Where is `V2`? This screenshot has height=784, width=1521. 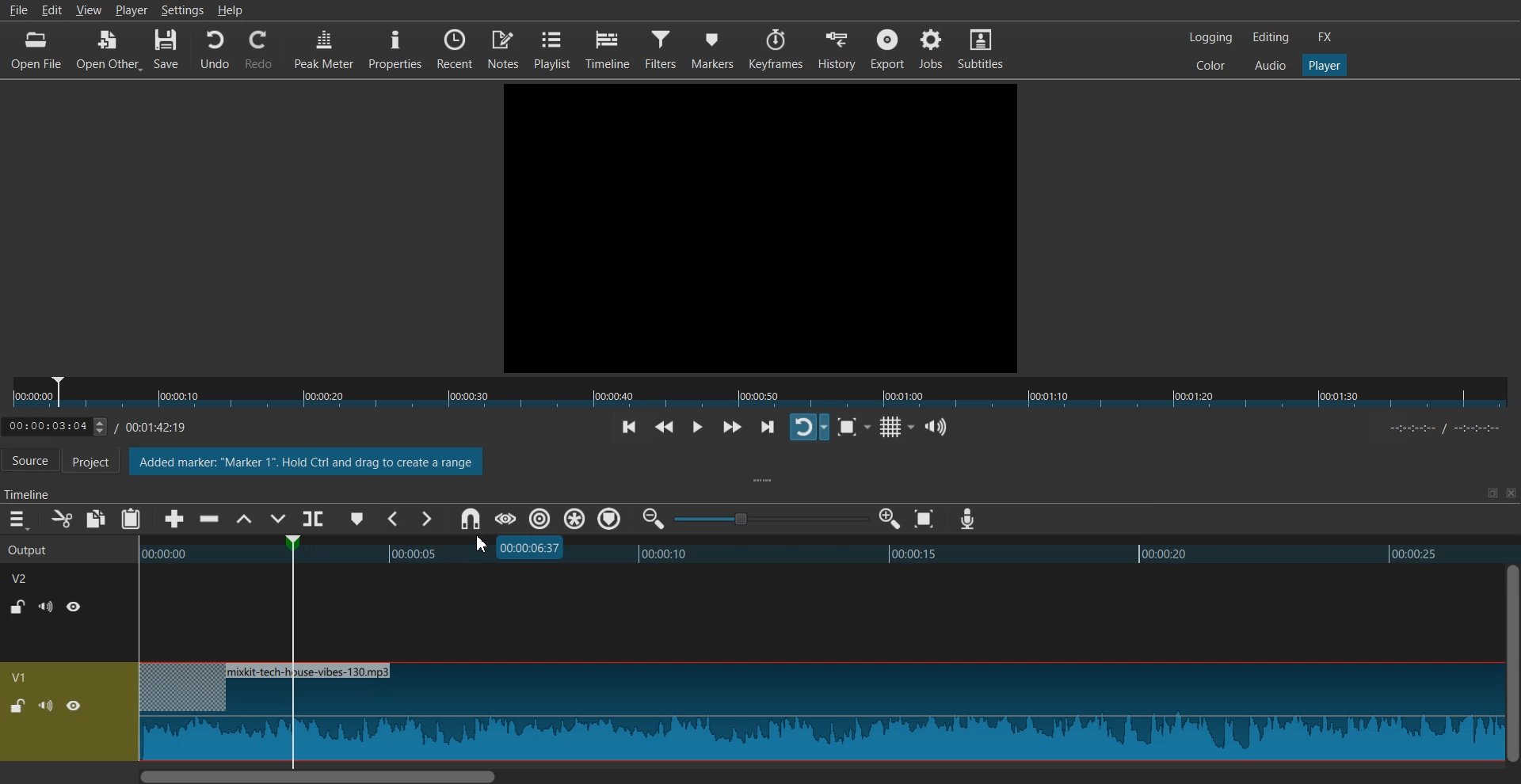
V2 is located at coordinates (28, 577).